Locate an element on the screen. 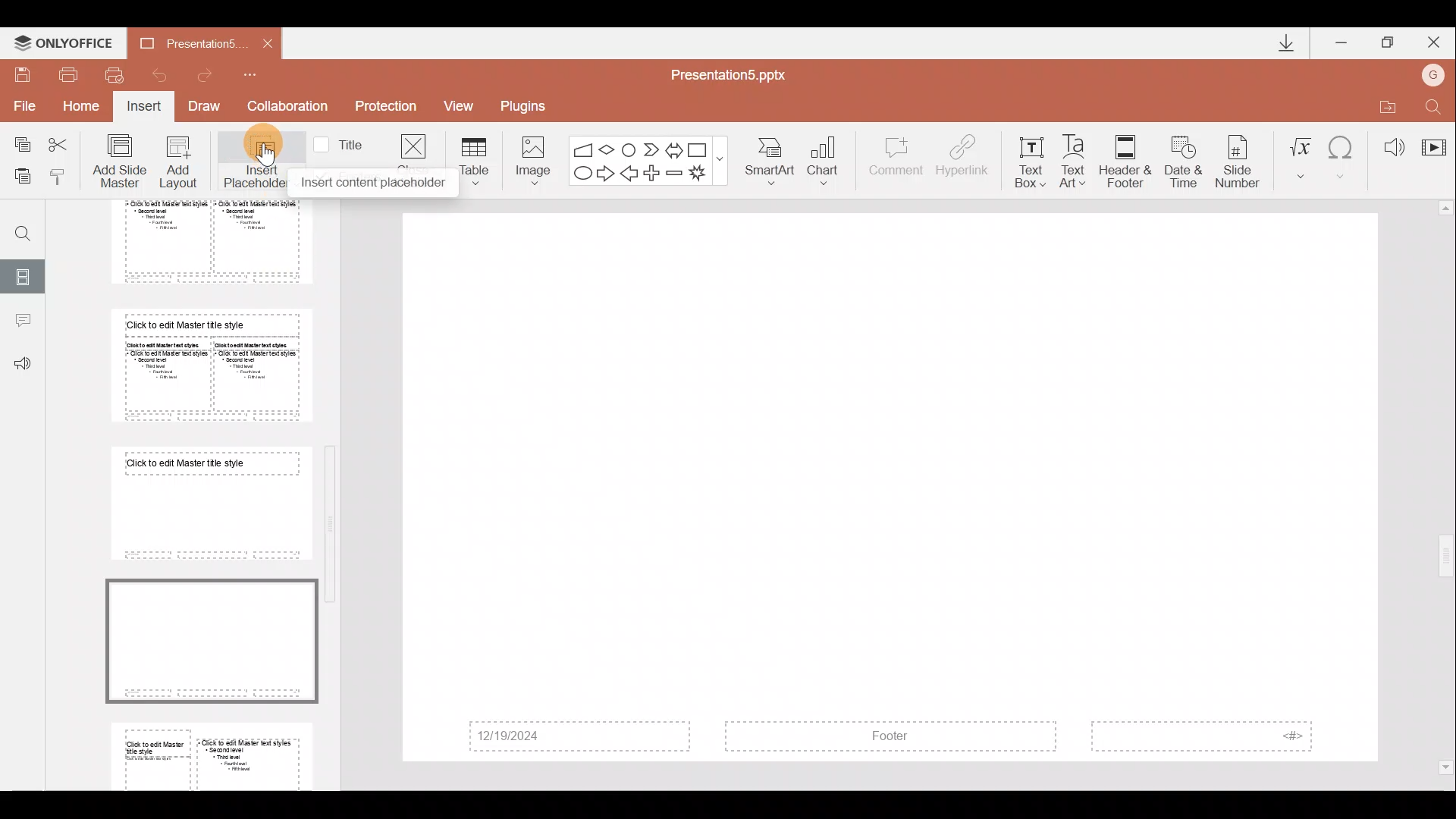 This screenshot has height=819, width=1456. Close masters is located at coordinates (413, 143).